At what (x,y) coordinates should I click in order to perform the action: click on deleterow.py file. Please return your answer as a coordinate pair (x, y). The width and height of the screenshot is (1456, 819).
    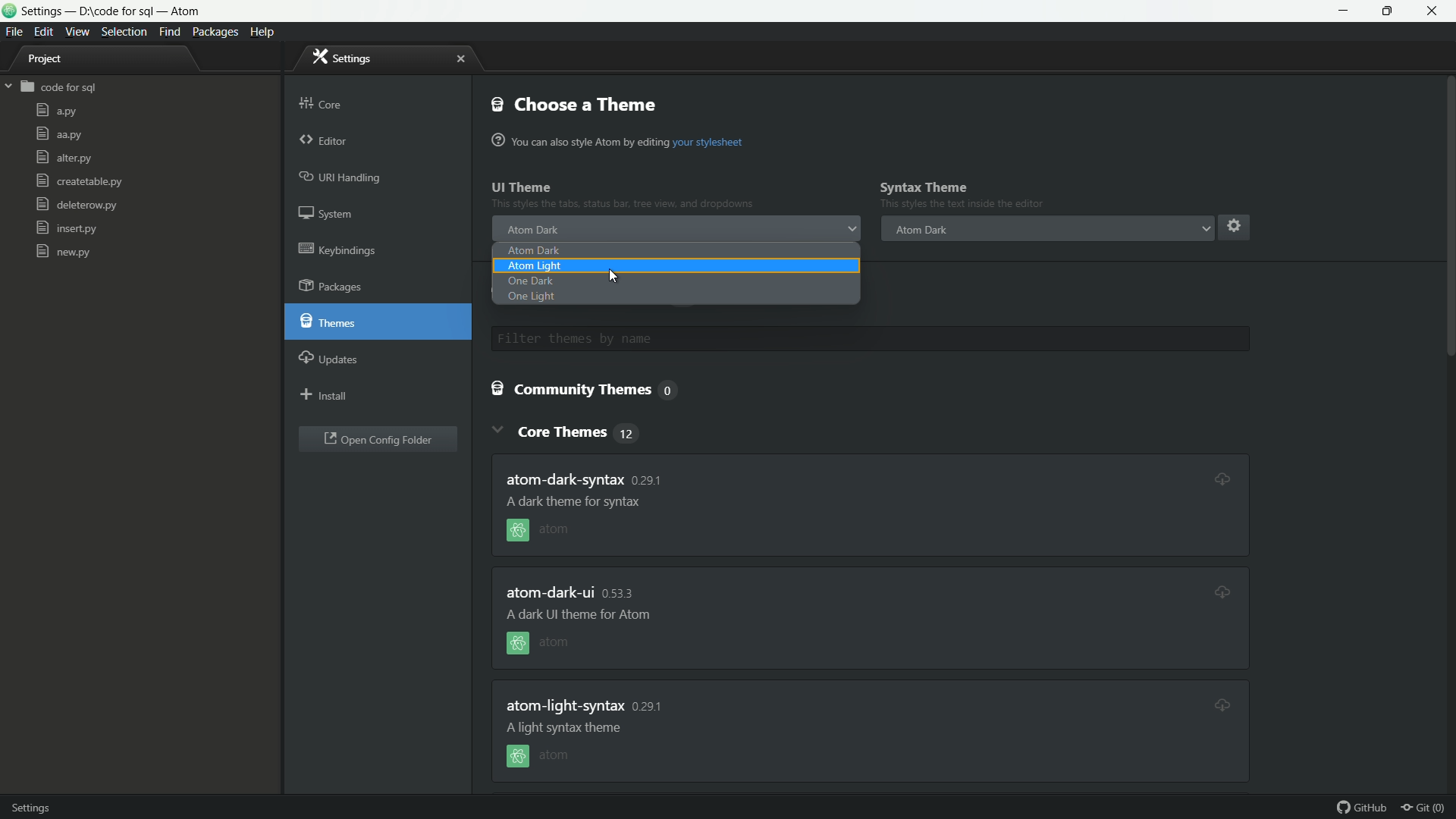
    Looking at the image, I should click on (76, 206).